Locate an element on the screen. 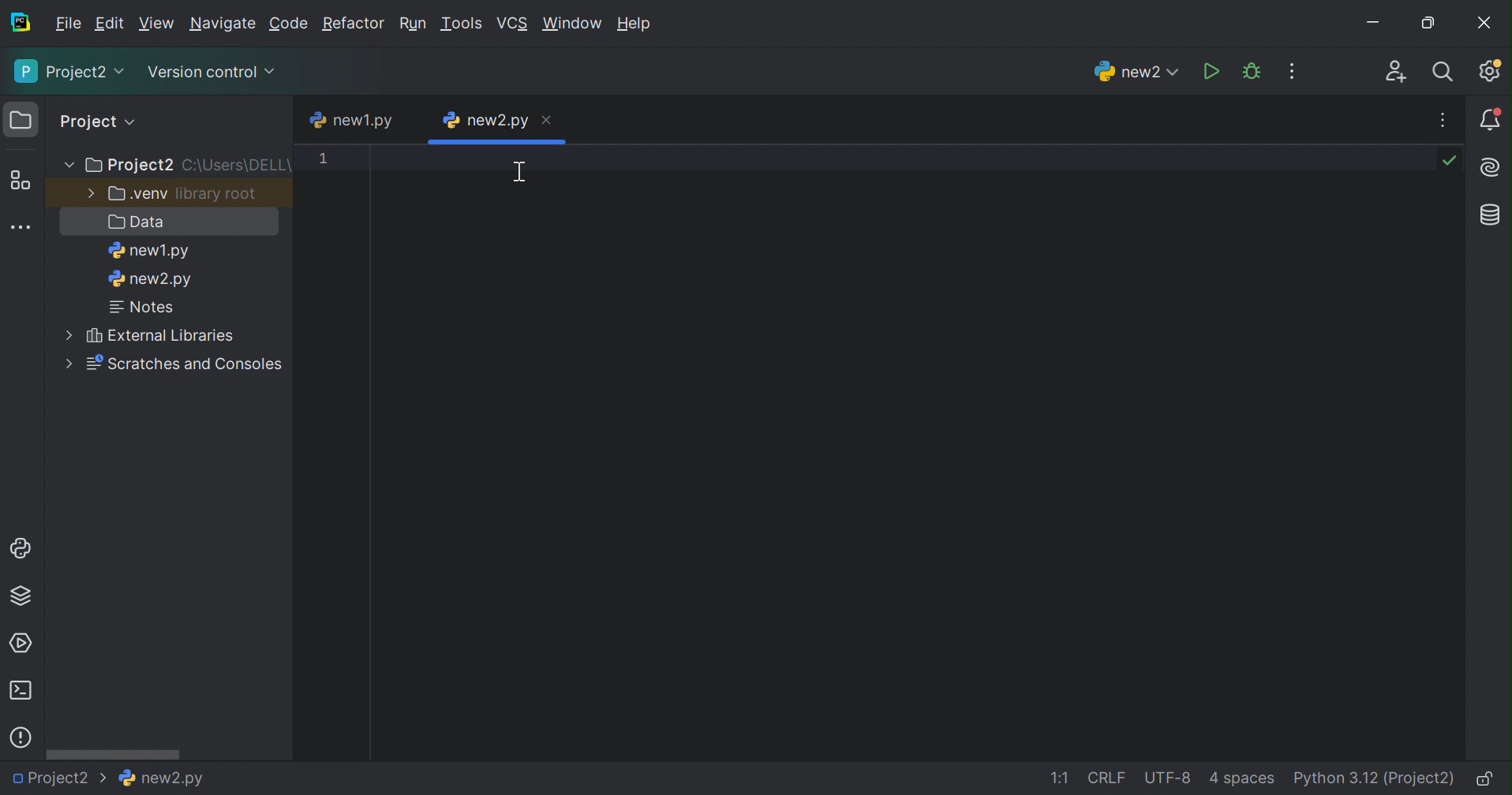 This screenshot has width=1512, height=795. library root is located at coordinates (218, 195).